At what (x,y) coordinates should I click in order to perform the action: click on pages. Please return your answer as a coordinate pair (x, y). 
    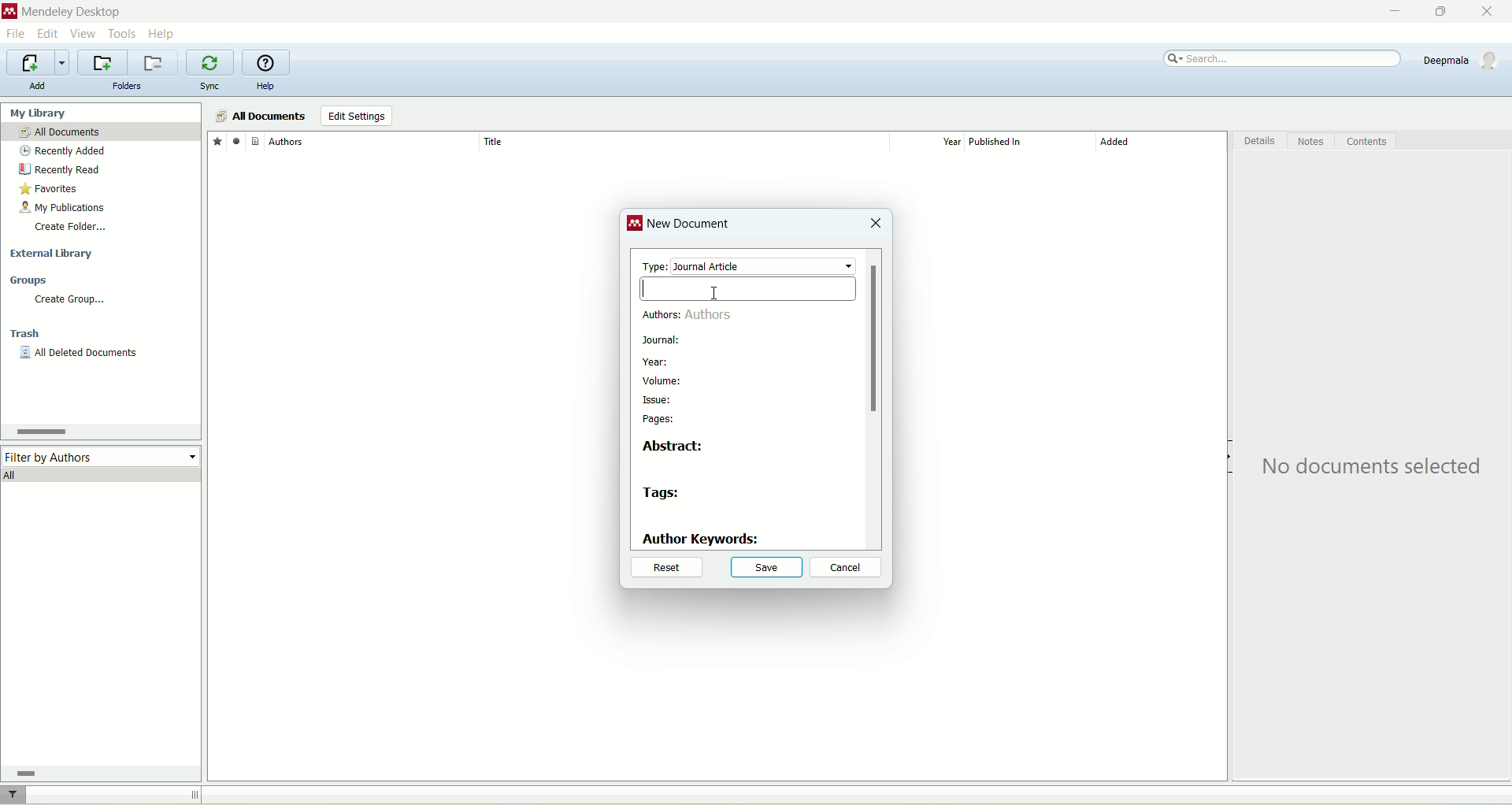
    Looking at the image, I should click on (661, 420).